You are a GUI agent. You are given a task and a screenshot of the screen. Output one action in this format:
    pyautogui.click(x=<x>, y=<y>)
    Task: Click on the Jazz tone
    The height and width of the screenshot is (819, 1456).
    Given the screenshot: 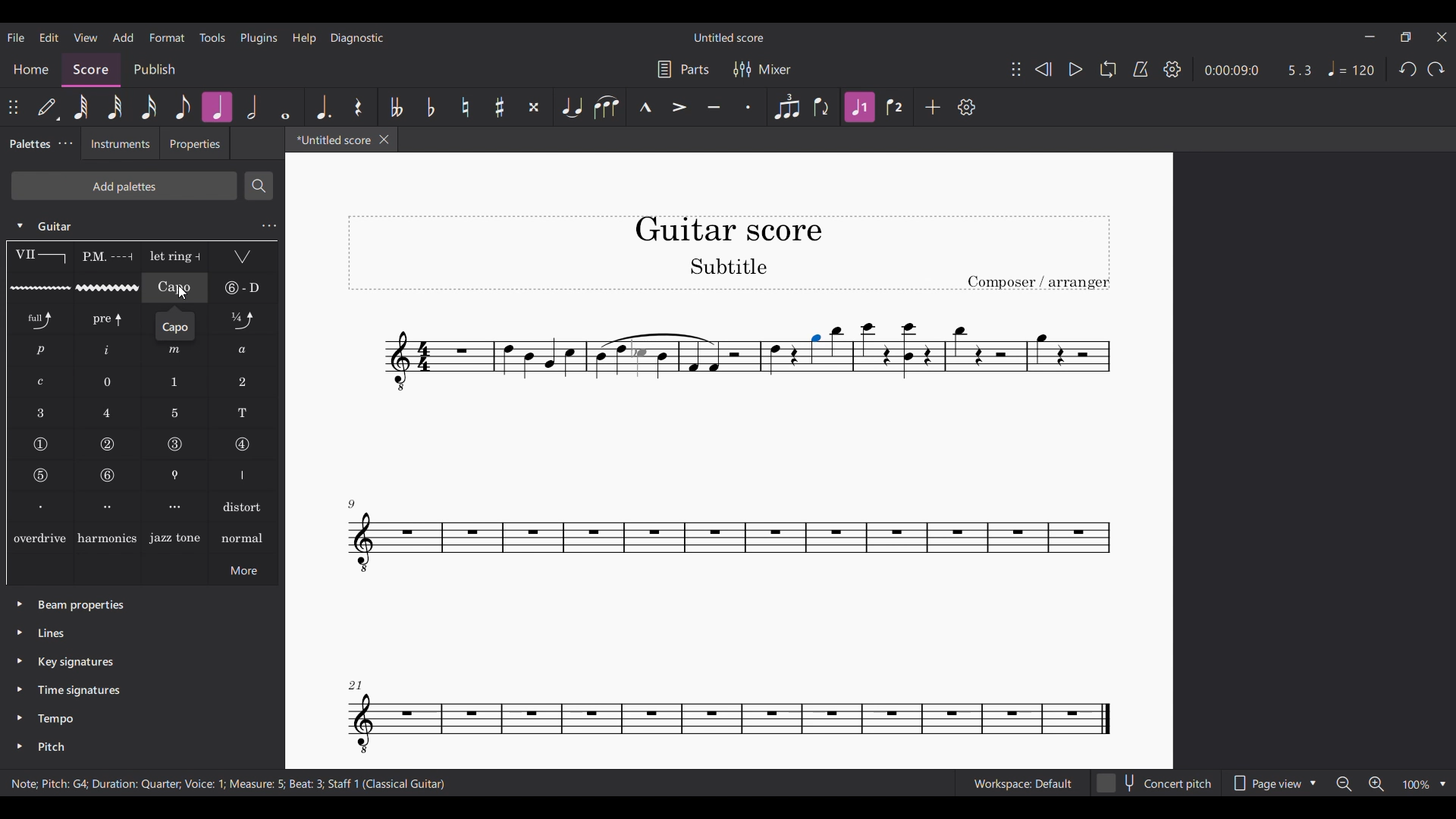 What is the action you would take?
    pyautogui.click(x=175, y=537)
    